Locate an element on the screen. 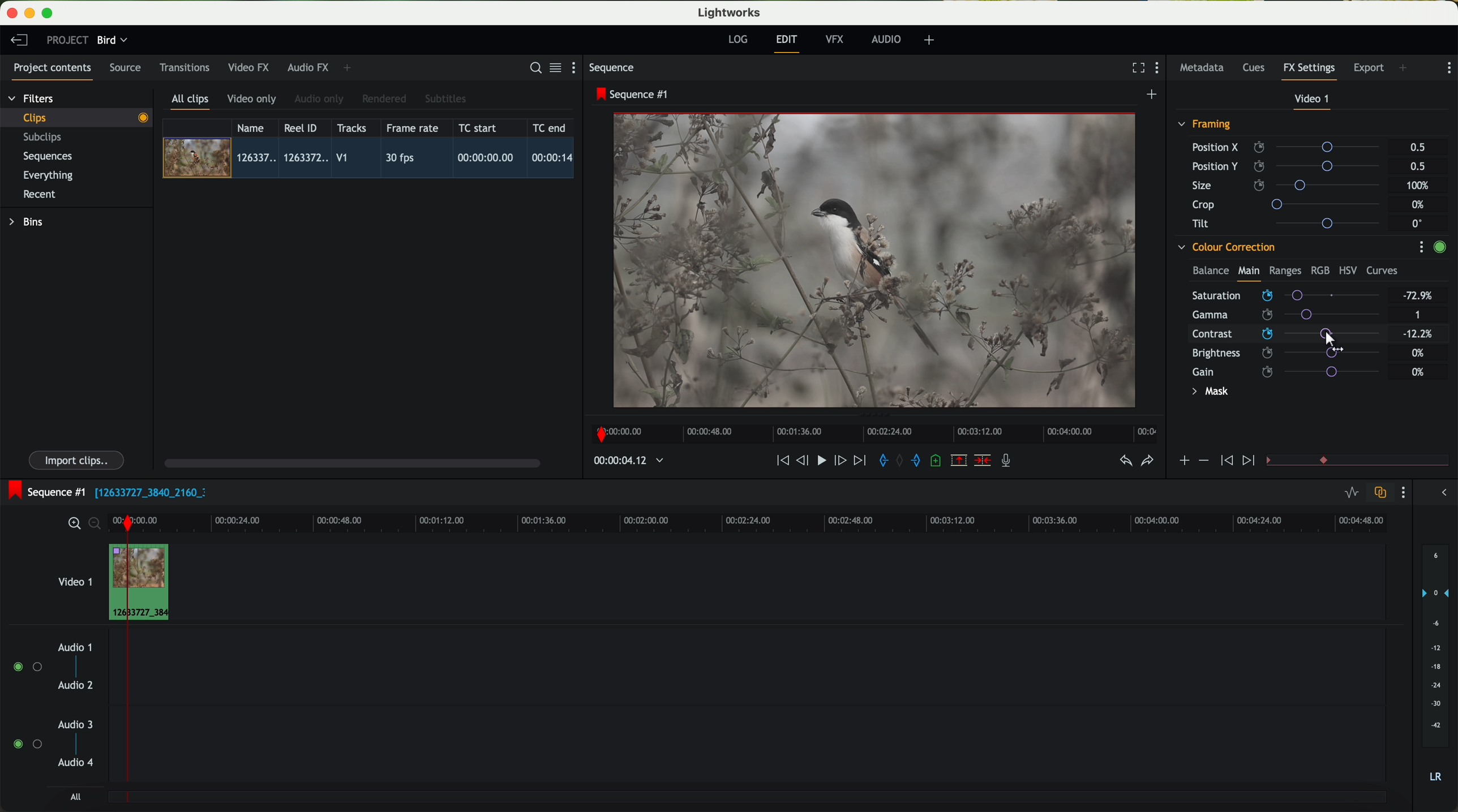 Image resolution: width=1458 pixels, height=812 pixels. audio 1 is located at coordinates (75, 647).